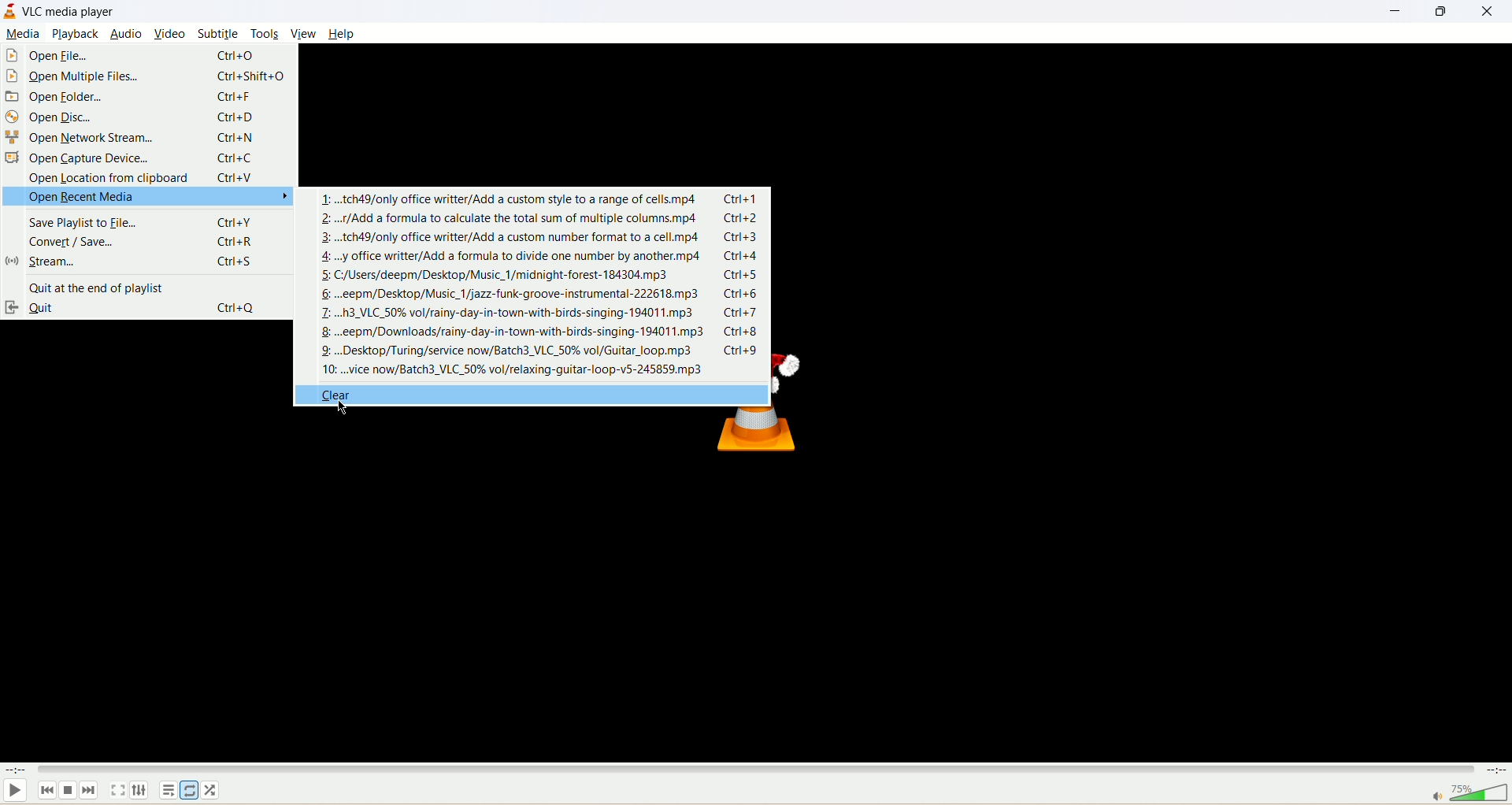  What do you see at coordinates (10, 11) in the screenshot?
I see `logo` at bounding box center [10, 11].